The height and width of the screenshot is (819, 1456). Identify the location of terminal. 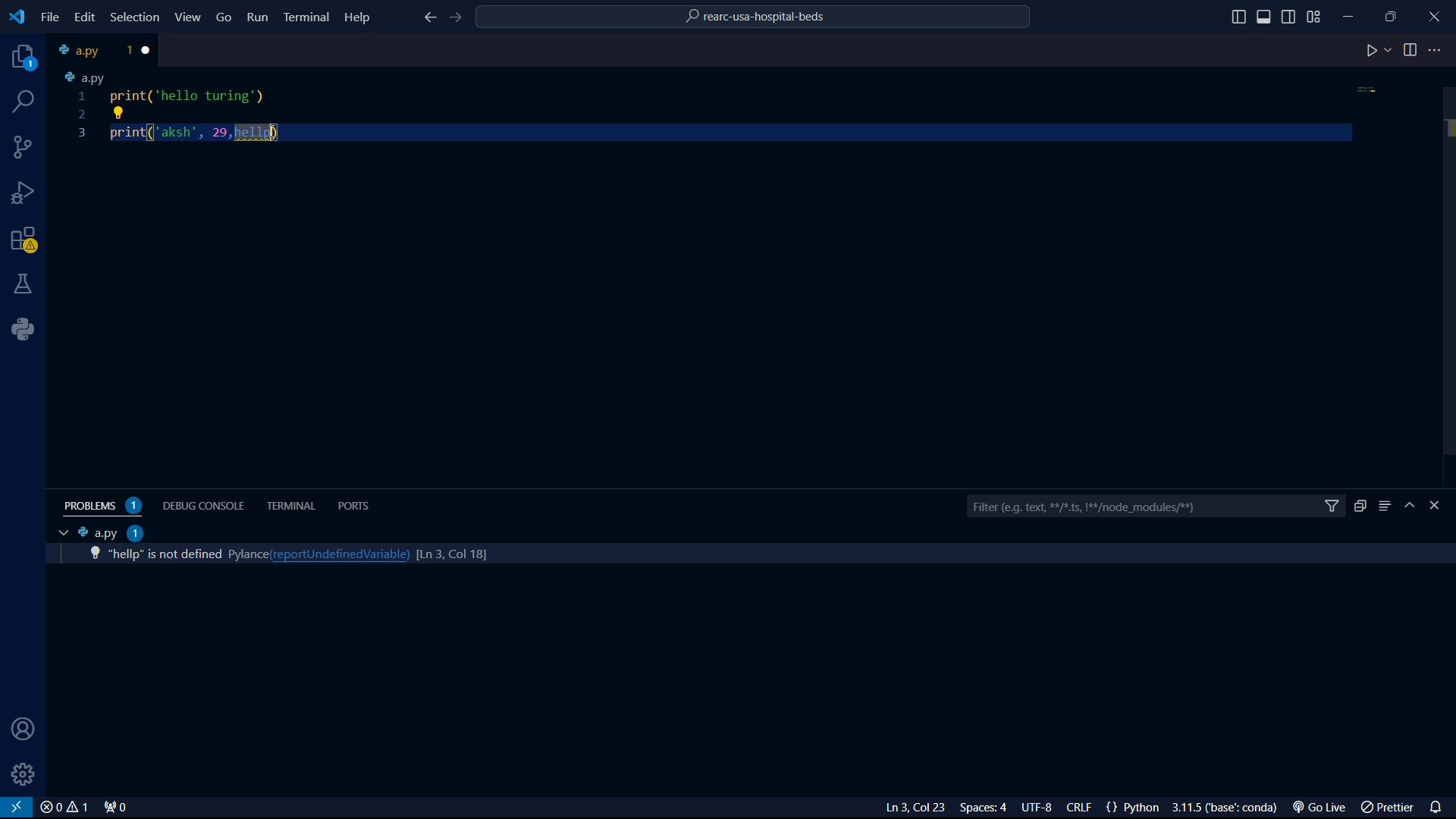
(292, 506).